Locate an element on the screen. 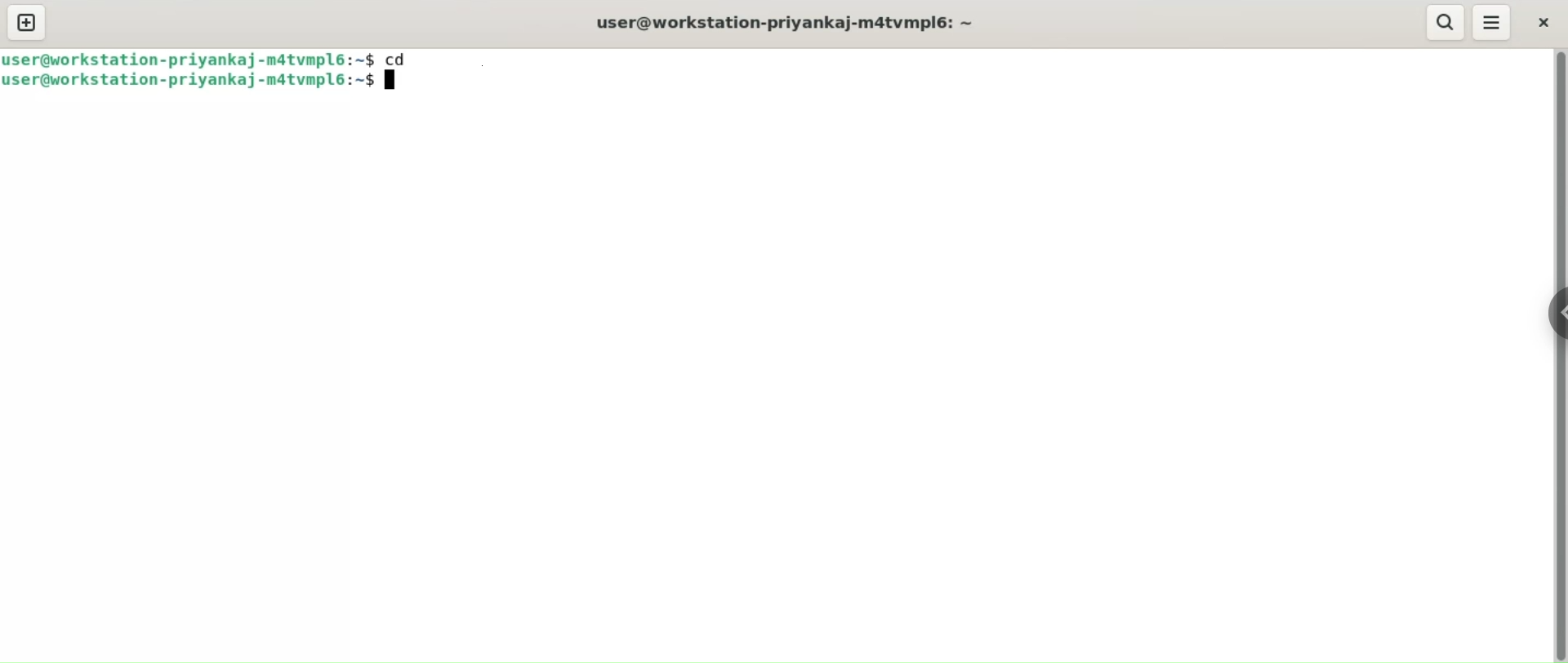 Image resolution: width=1568 pixels, height=663 pixels. search is located at coordinates (1446, 23).